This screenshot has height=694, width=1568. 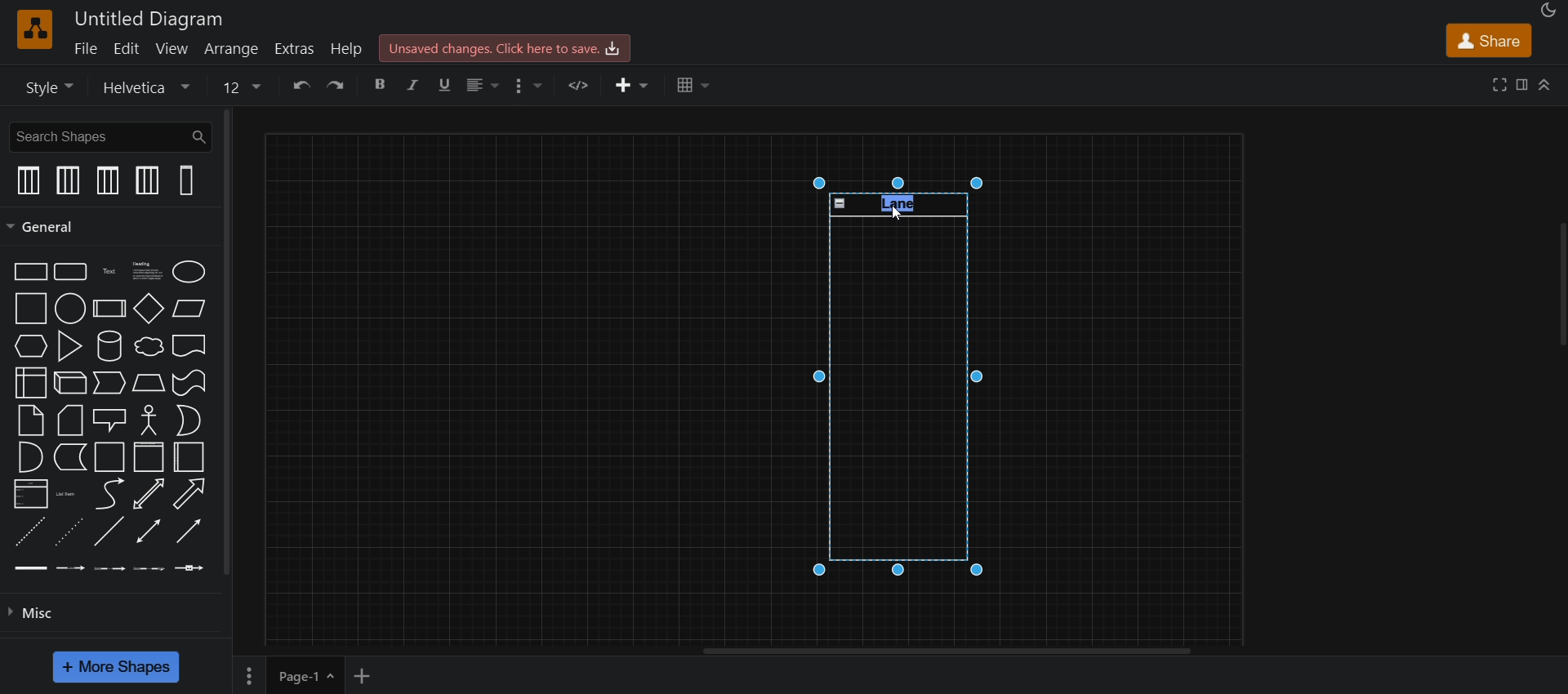 What do you see at coordinates (148, 535) in the screenshot?
I see `bidirectional connector` at bounding box center [148, 535].